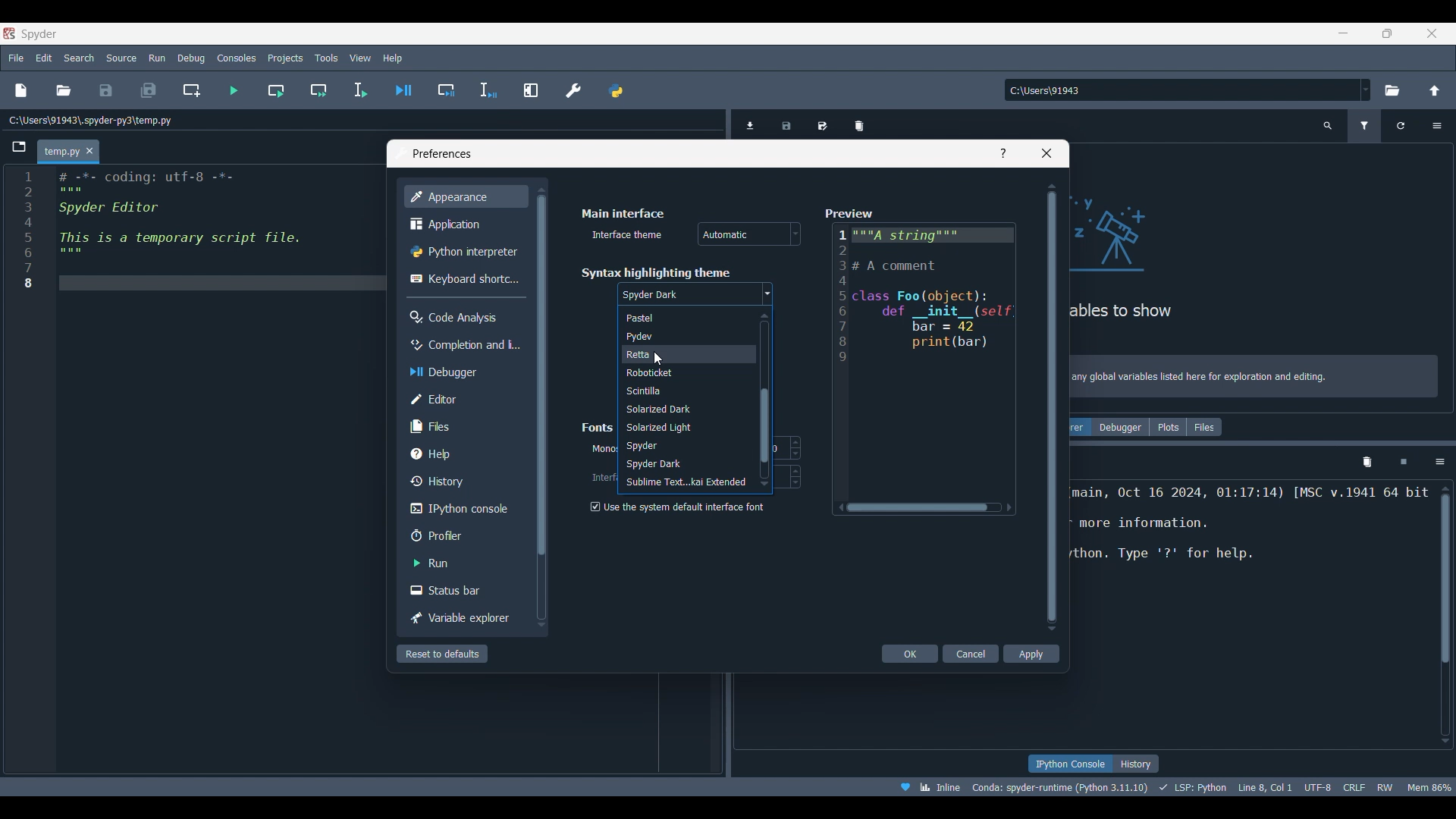 The image size is (1456, 819). What do you see at coordinates (463, 453) in the screenshot?
I see `Help` at bounding box center [463, 453].